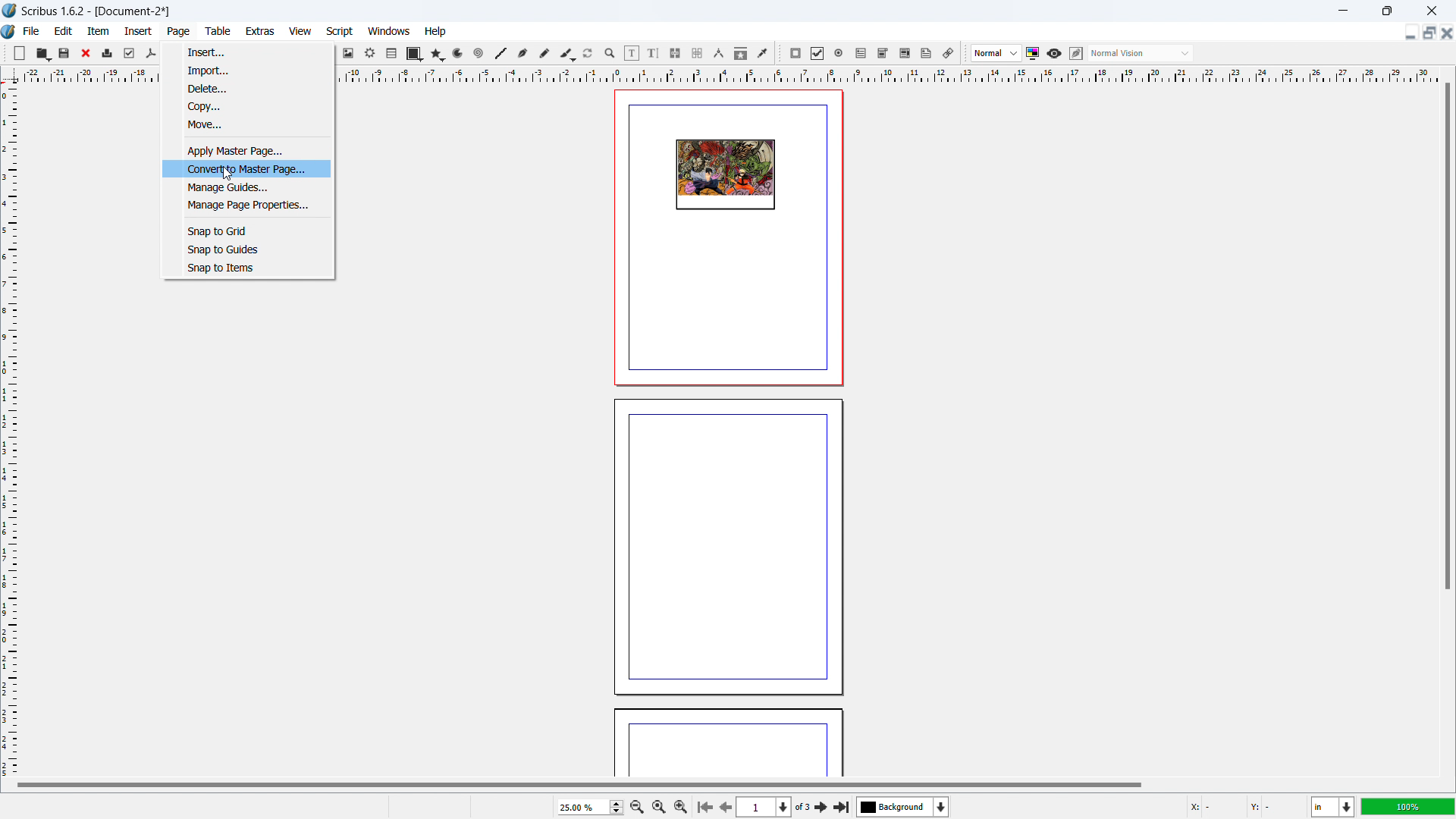 The image size is (1456, 819). I want to click on pdf checkbox, so click(817, 53).